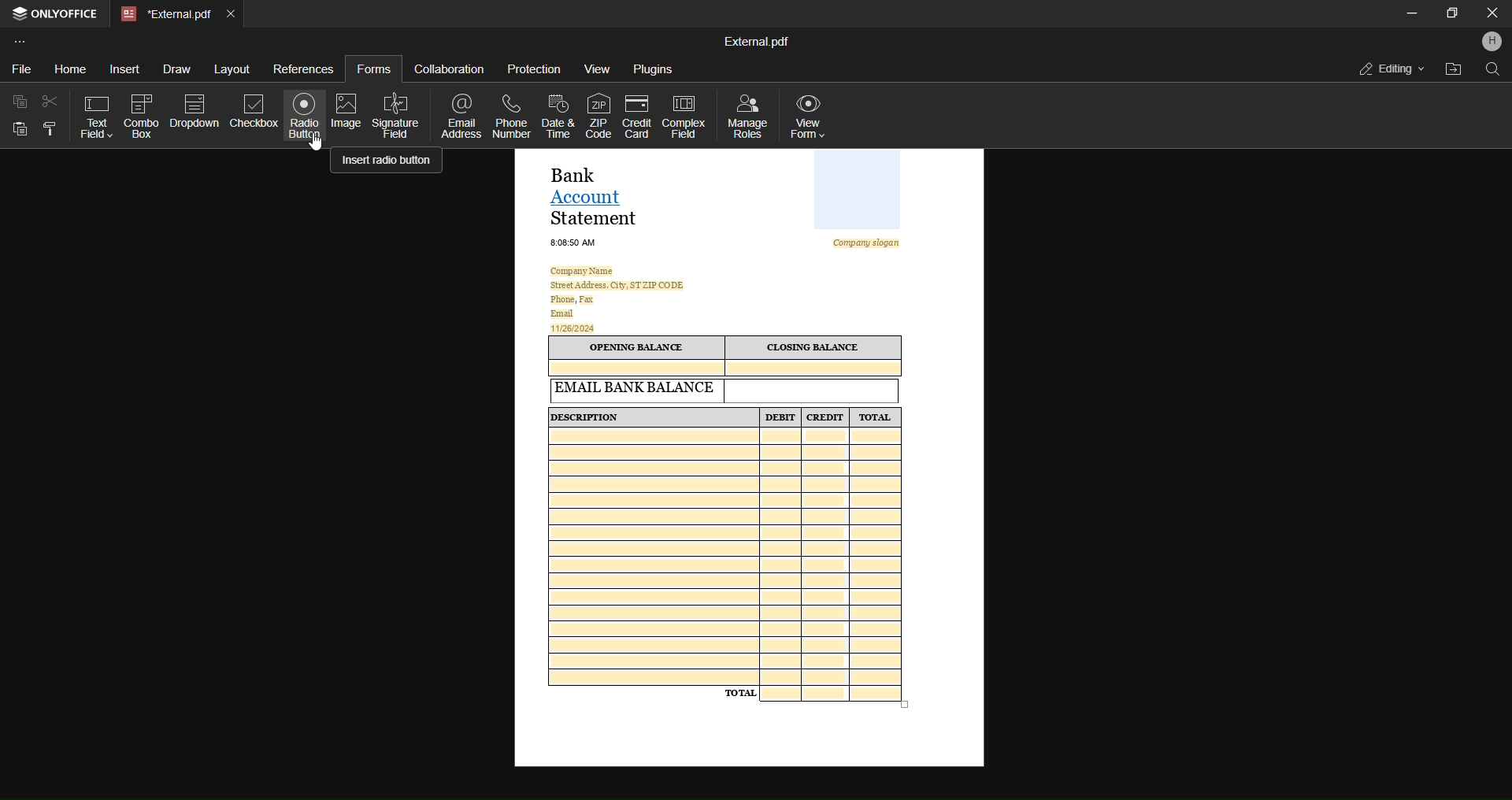 This screenshot has height=800, width=1512. I want to click on dropdown, so click(195, 109).